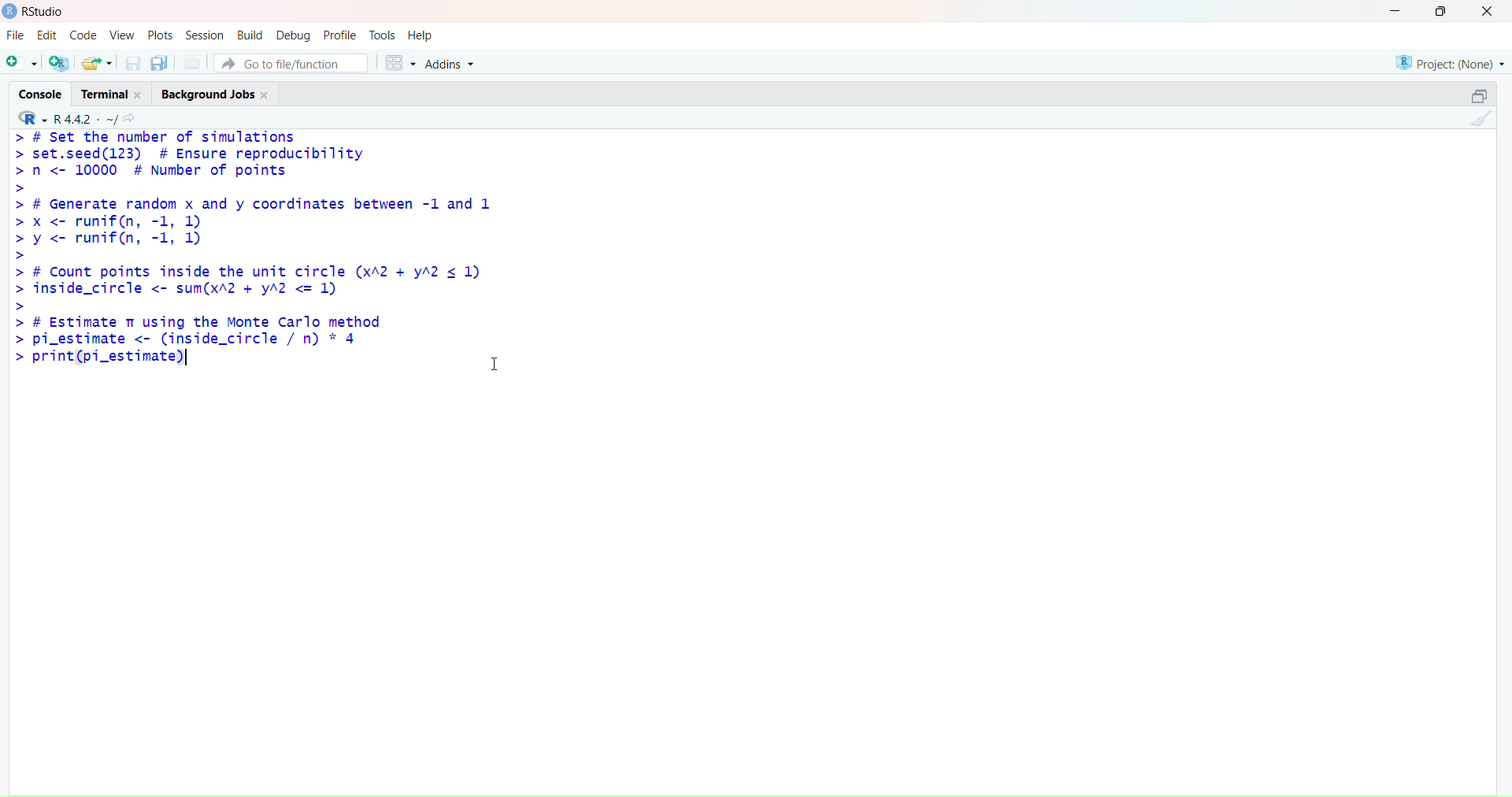 The height and width of the screenshot is (797, 1512). I want to click on Addins, so click(452, 61).